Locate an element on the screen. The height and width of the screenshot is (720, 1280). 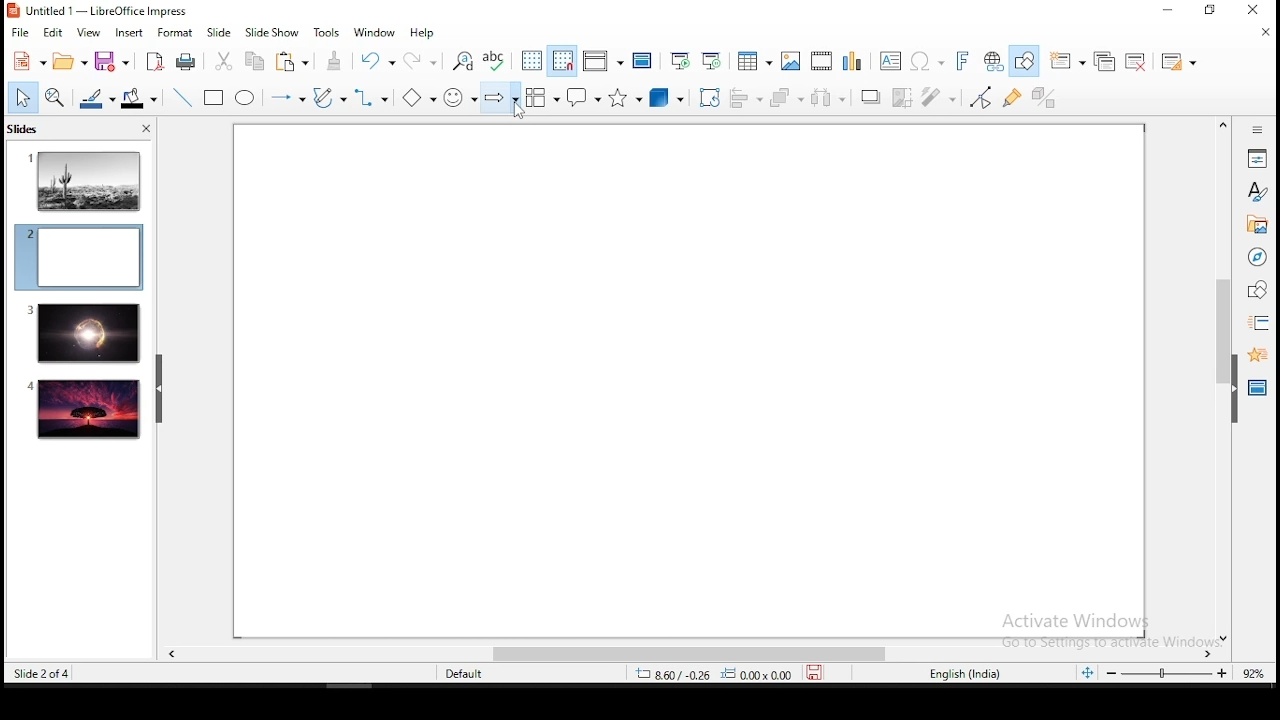
toggle extrusiuon is located at coordinates (1046, 97).